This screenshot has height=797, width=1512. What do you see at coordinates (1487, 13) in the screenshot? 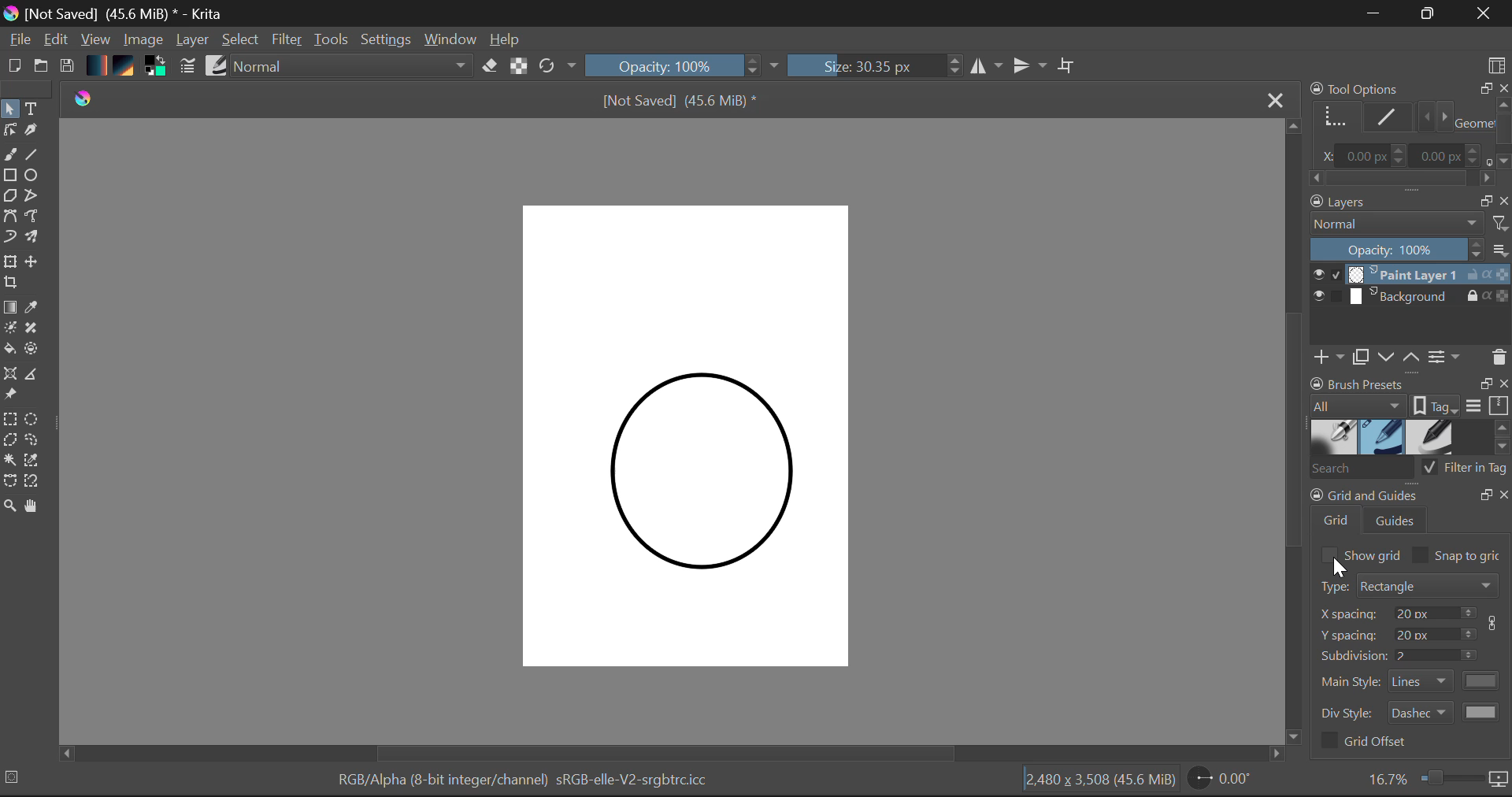
I see `Close` at bounding box center [1487, 13].